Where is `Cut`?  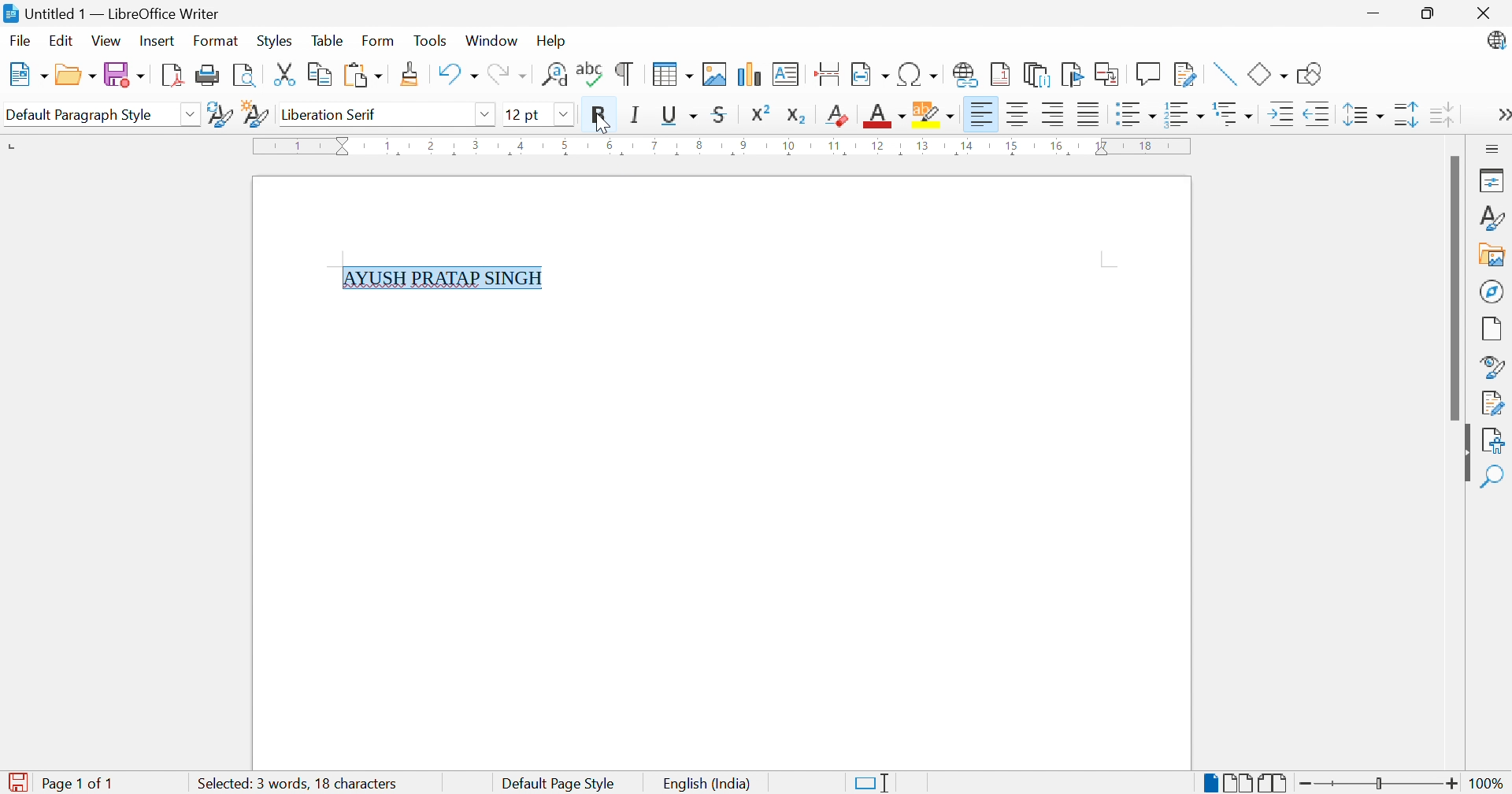
Cut is located at coordinates (285, 74).